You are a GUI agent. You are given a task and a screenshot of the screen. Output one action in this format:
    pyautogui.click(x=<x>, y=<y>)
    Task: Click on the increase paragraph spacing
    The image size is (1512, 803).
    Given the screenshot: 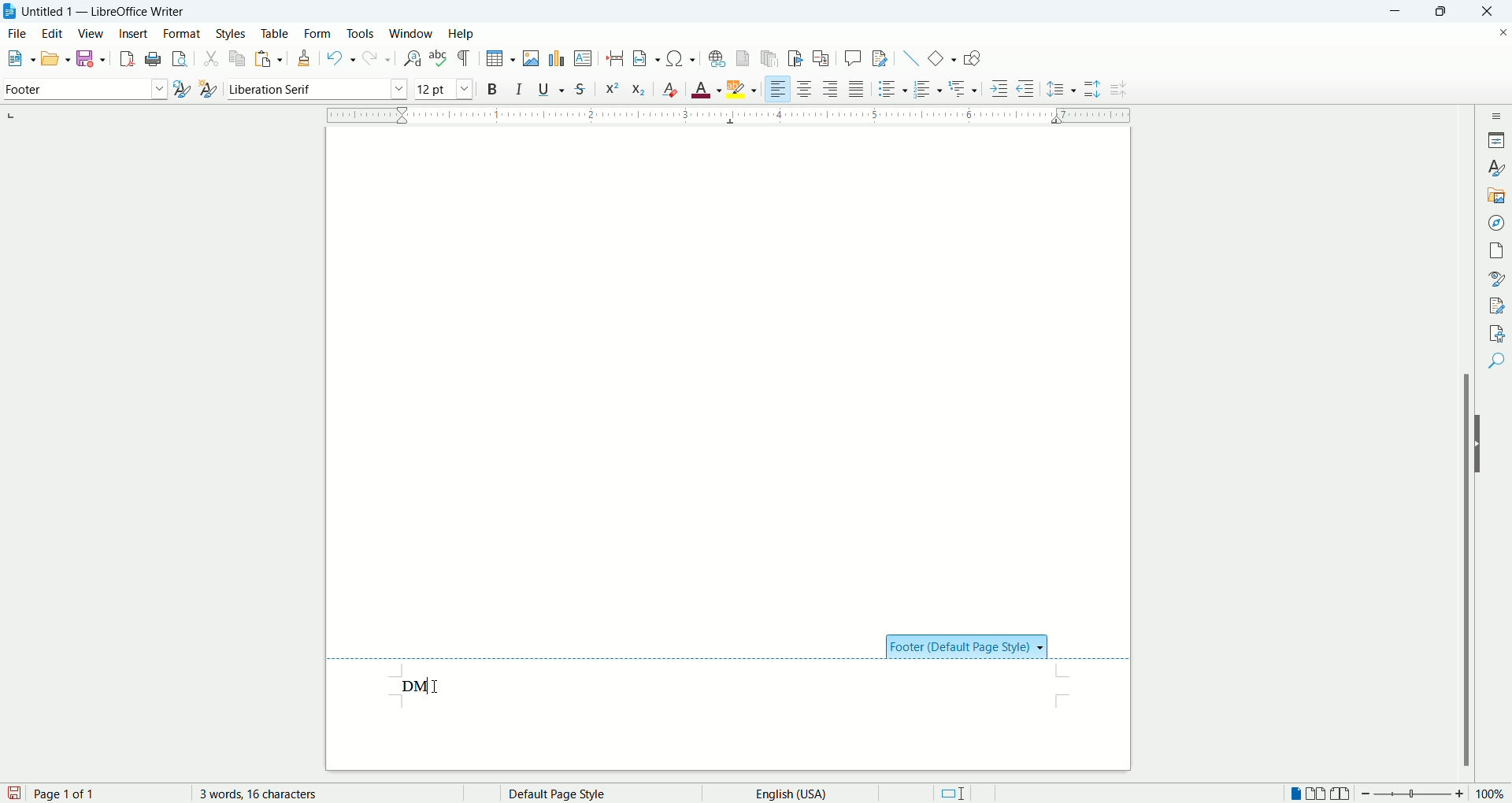 What is the action you would take?
    pyautogui.click(x=1092, y=90)
    